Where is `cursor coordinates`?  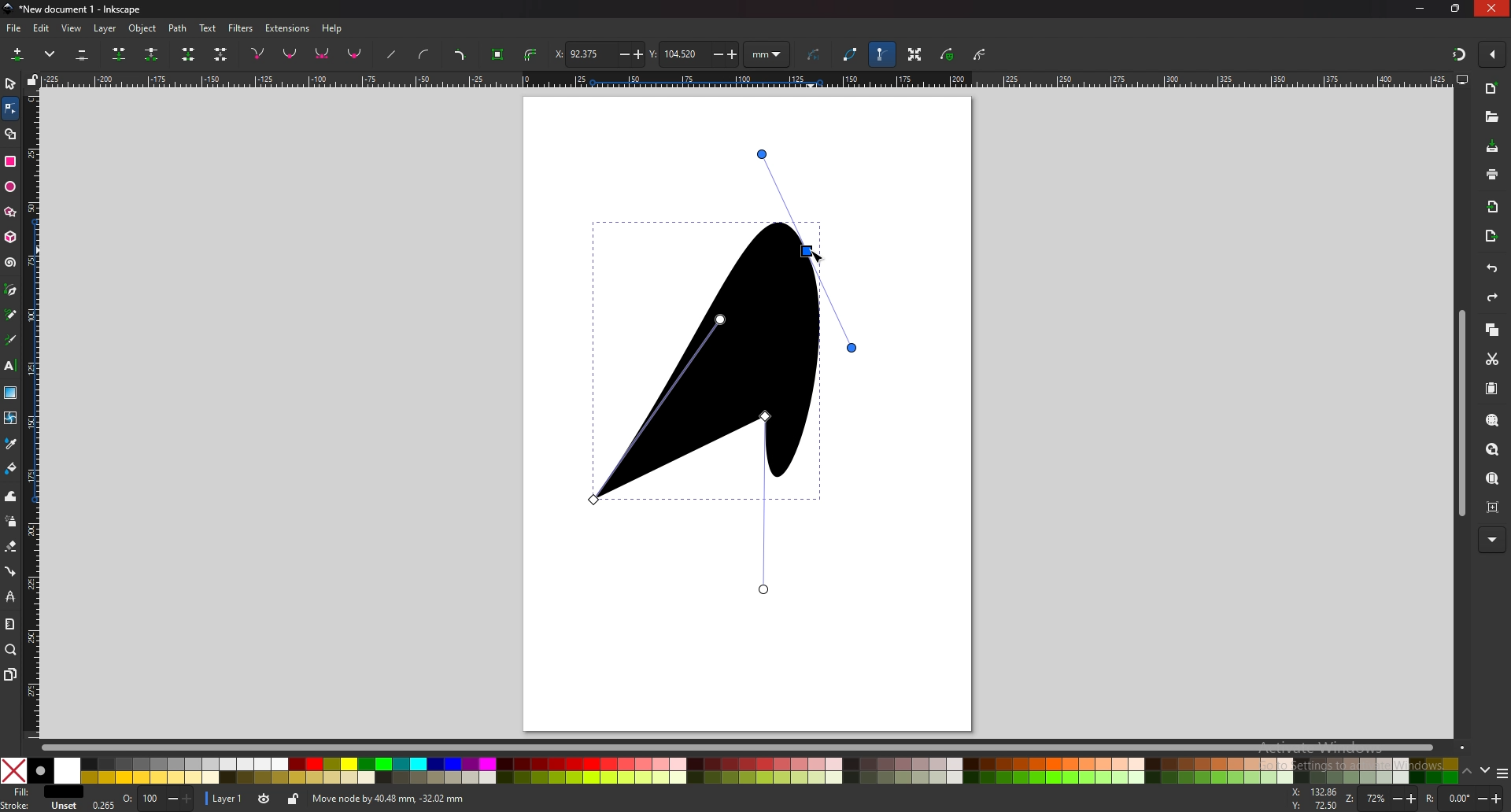
cursor coordinates is located at coordinates (1314, 799).